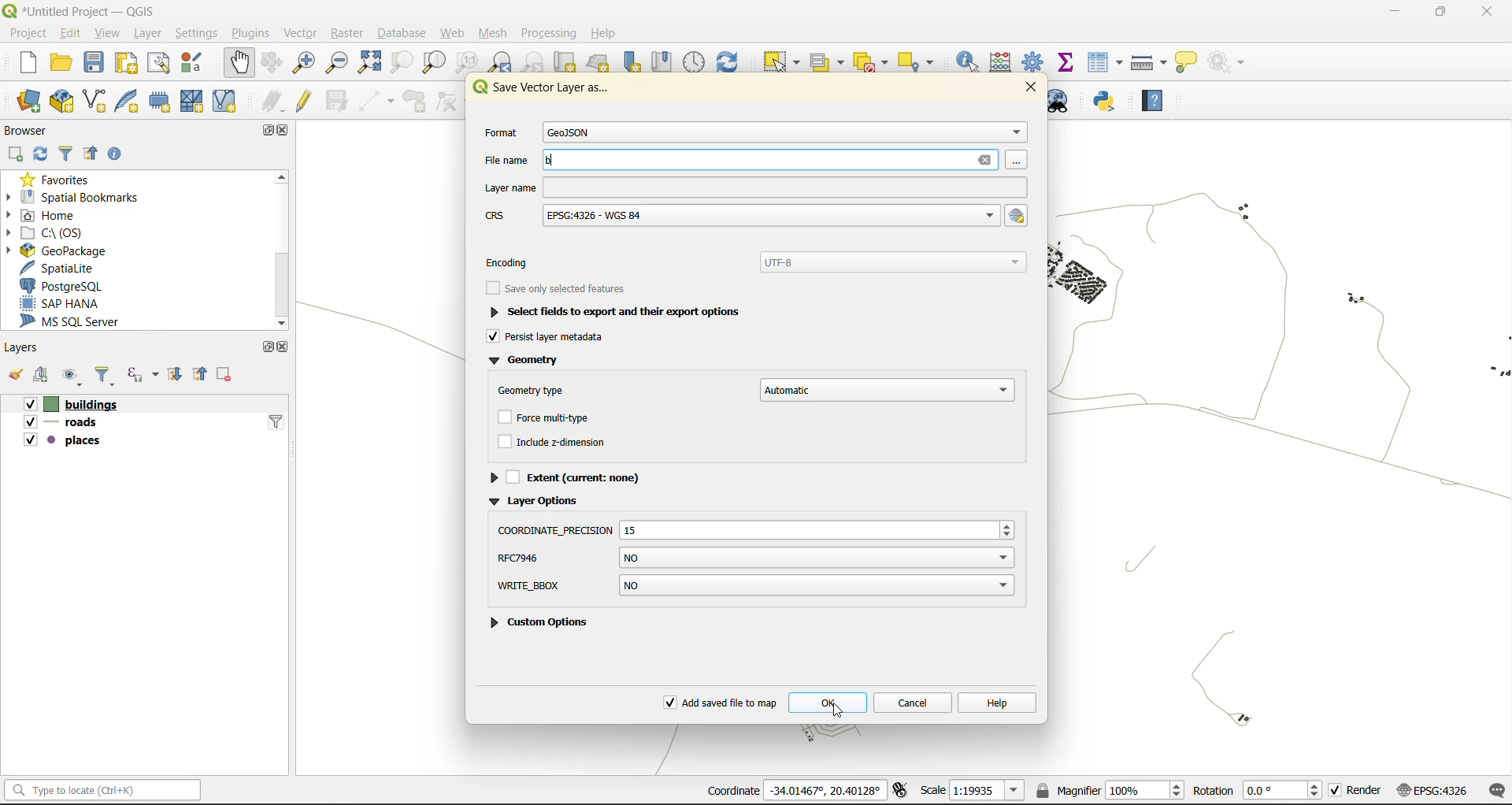 The image size is (1512, 805). Describe the element at coordinates (1068, 62) in the screenshot. I see `statistical summary` at that location.